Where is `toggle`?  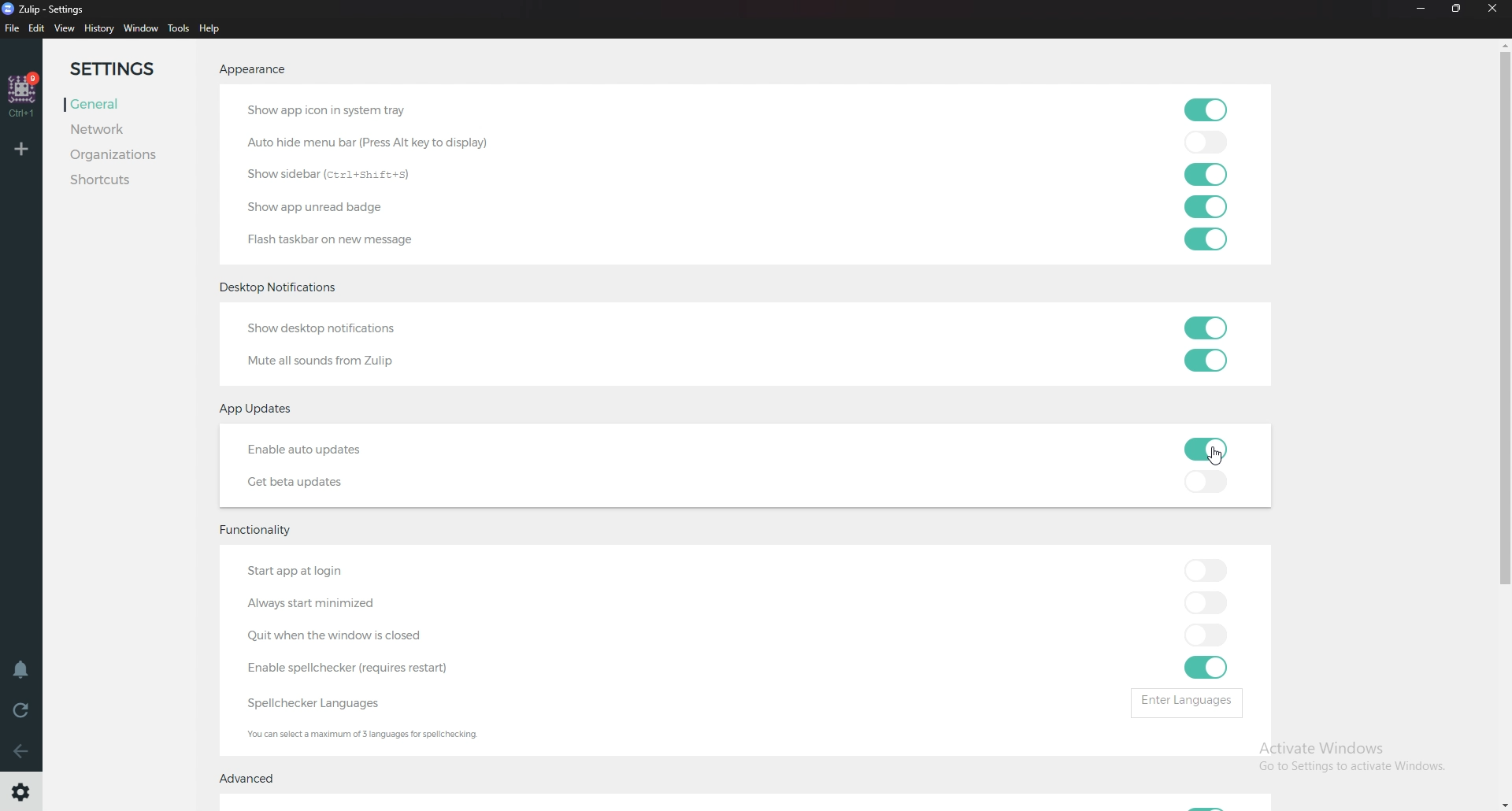 toggle is located at coordinates (1205, 602).